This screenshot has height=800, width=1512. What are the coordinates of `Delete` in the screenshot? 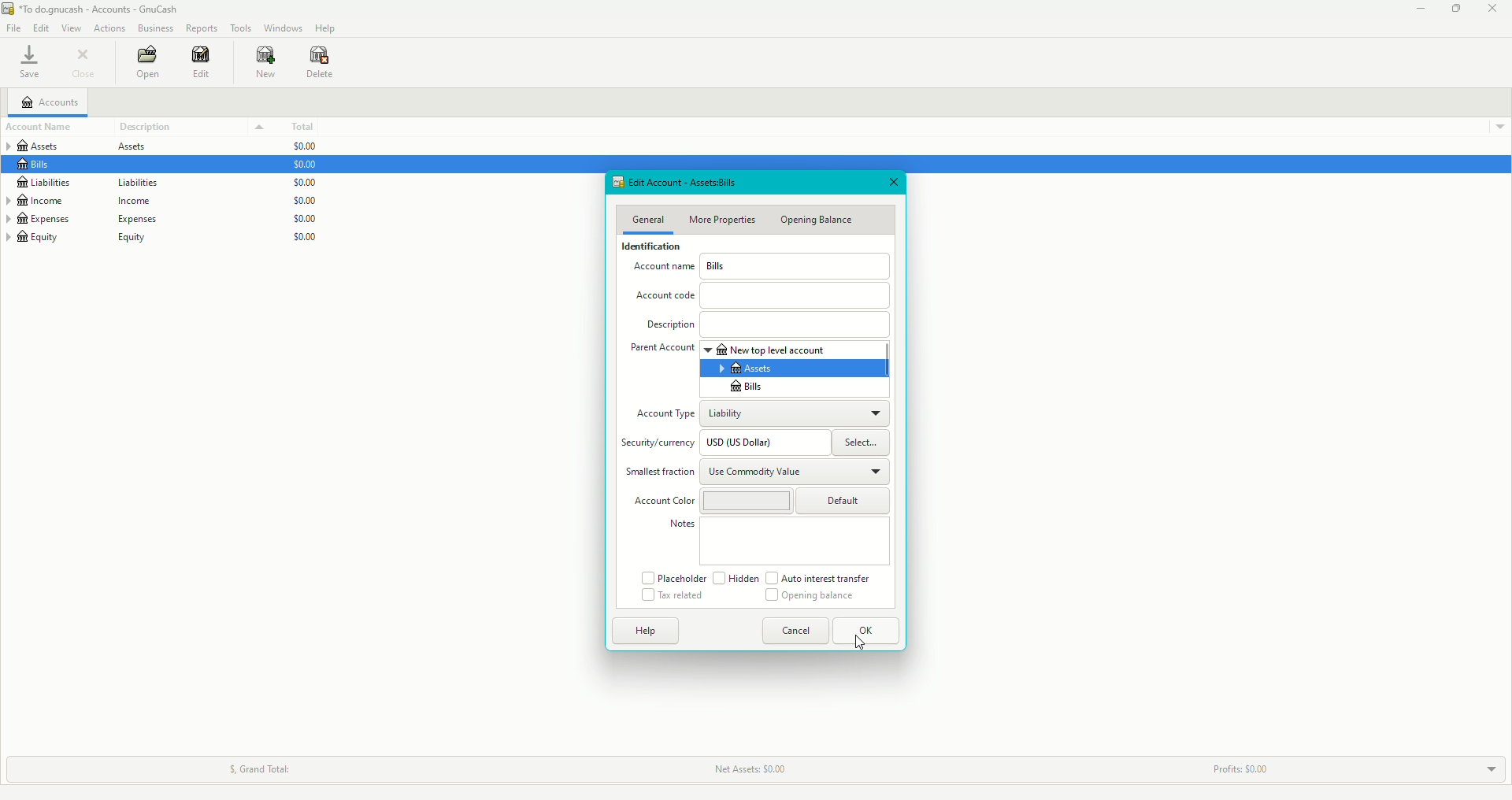 It's located at (321, 65).